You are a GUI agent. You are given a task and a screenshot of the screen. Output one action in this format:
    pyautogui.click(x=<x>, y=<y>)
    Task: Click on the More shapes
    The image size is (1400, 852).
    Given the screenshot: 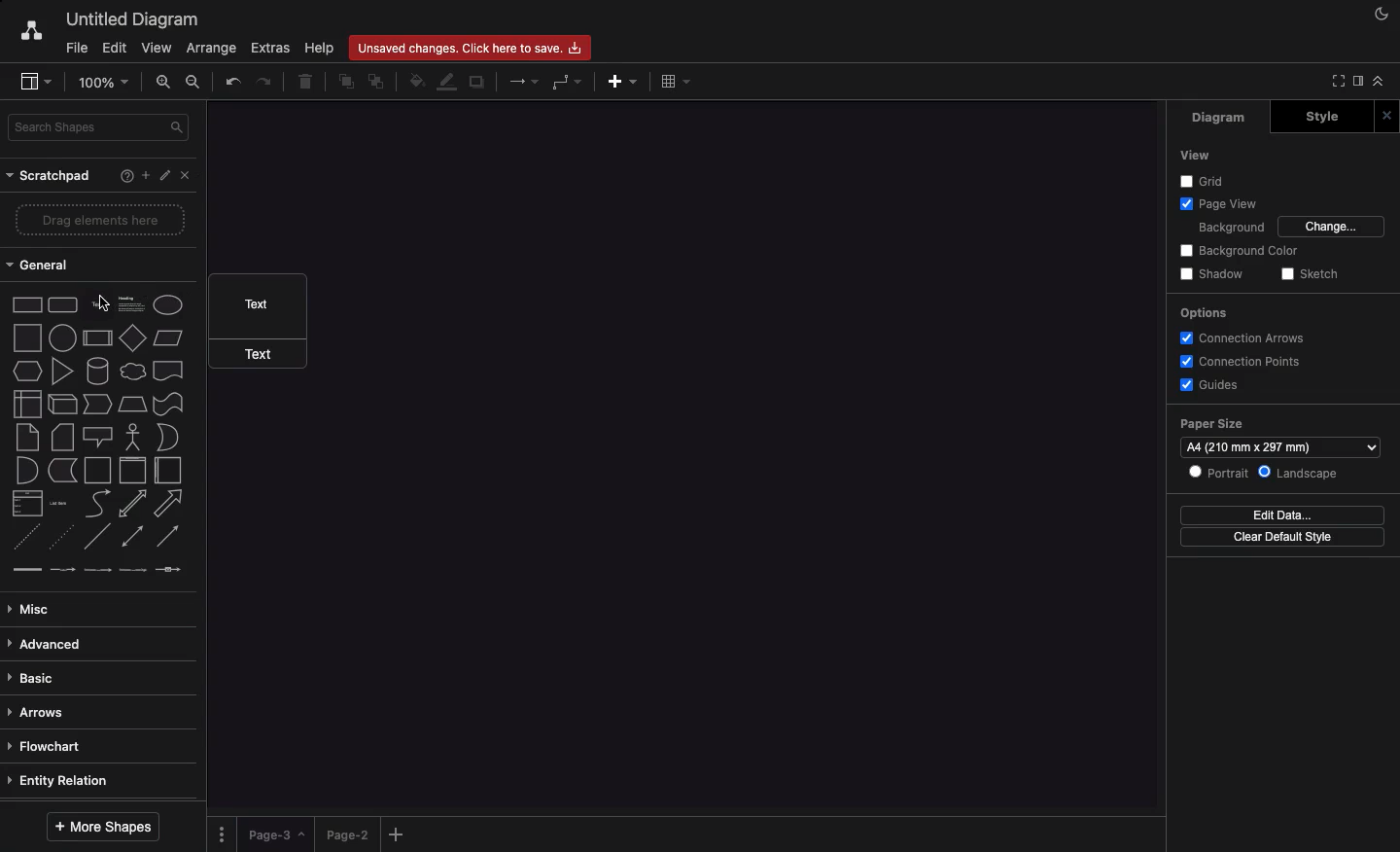 What is the action you would take?
    pyautogui.click(x=106, y=826)
    